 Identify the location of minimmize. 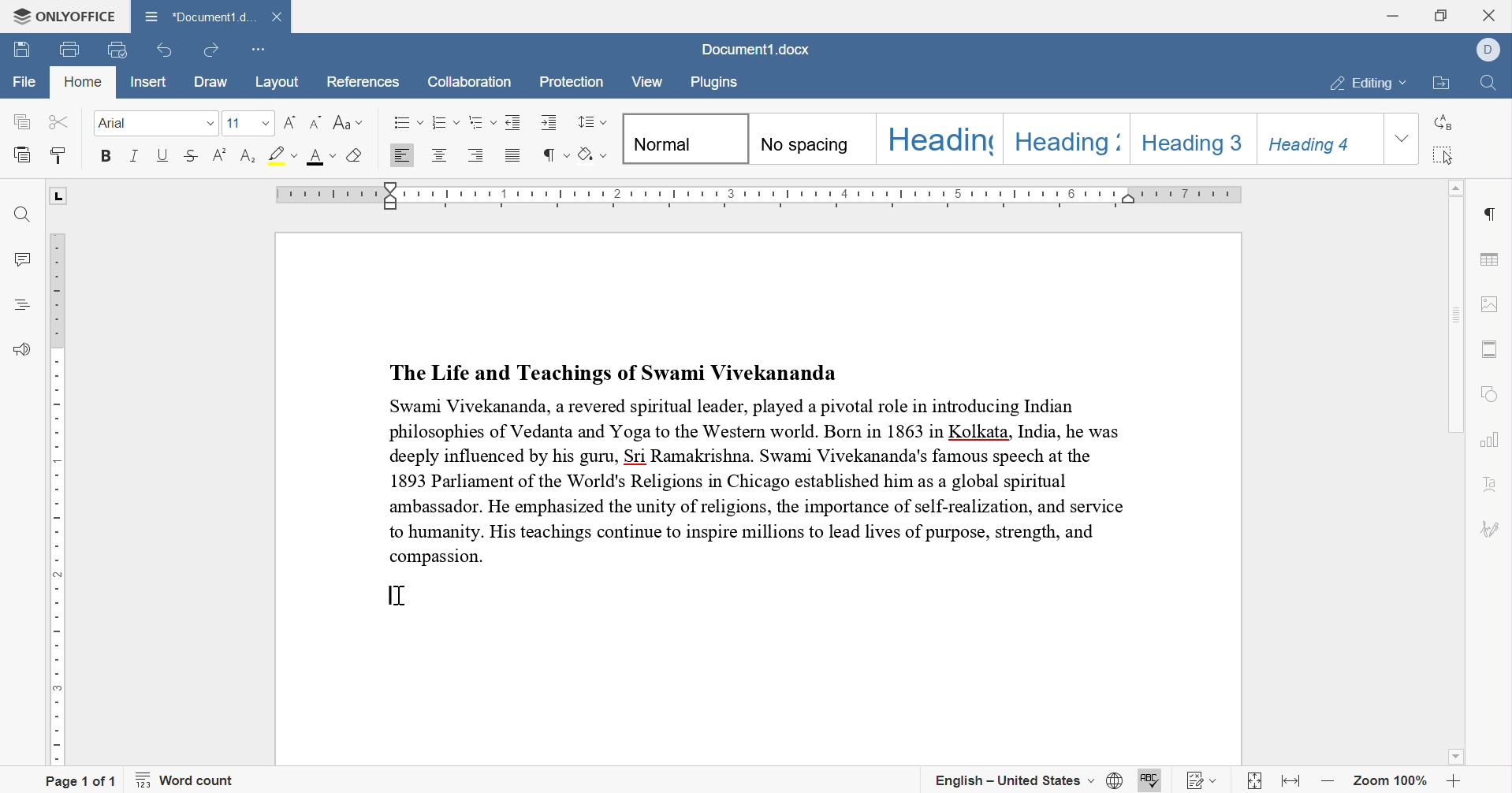
(1392, 14).